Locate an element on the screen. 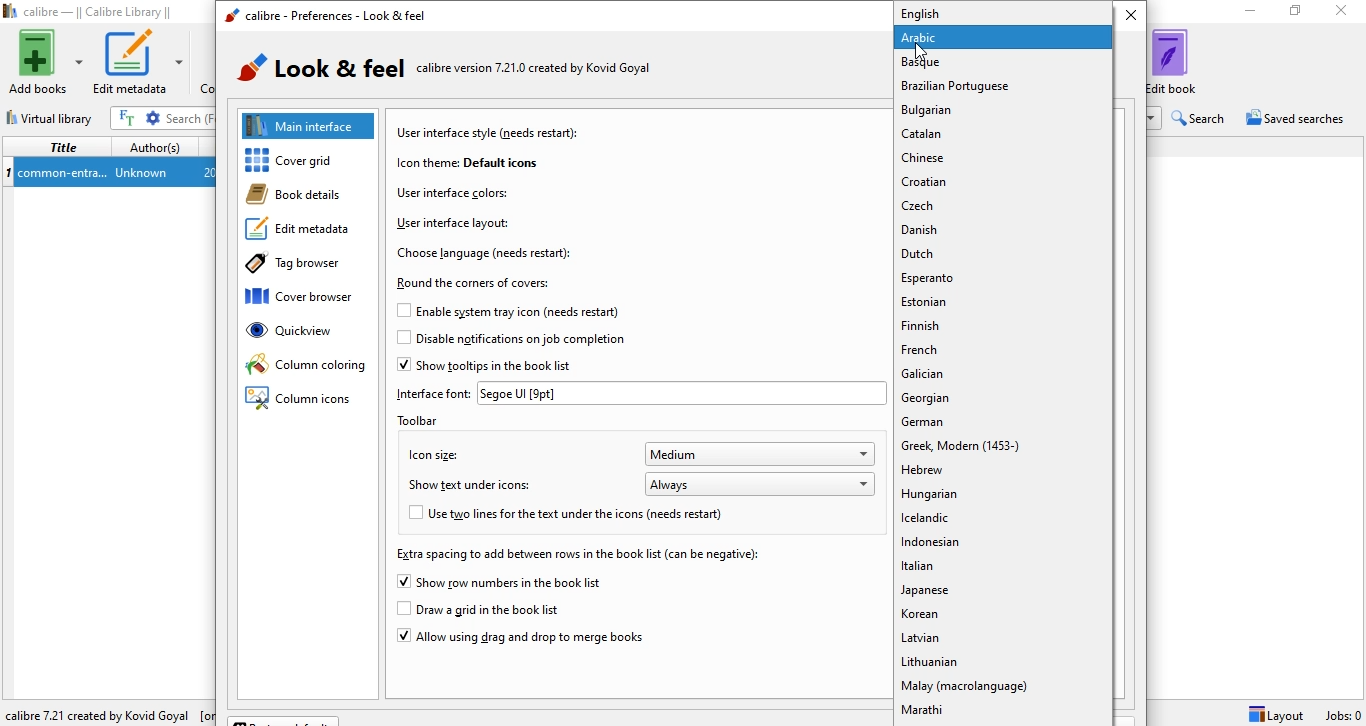 Image resolution: width=1366 pixels, height=726 pixels. allow using drag and drop to merge books is located at coordinates (519, 640).